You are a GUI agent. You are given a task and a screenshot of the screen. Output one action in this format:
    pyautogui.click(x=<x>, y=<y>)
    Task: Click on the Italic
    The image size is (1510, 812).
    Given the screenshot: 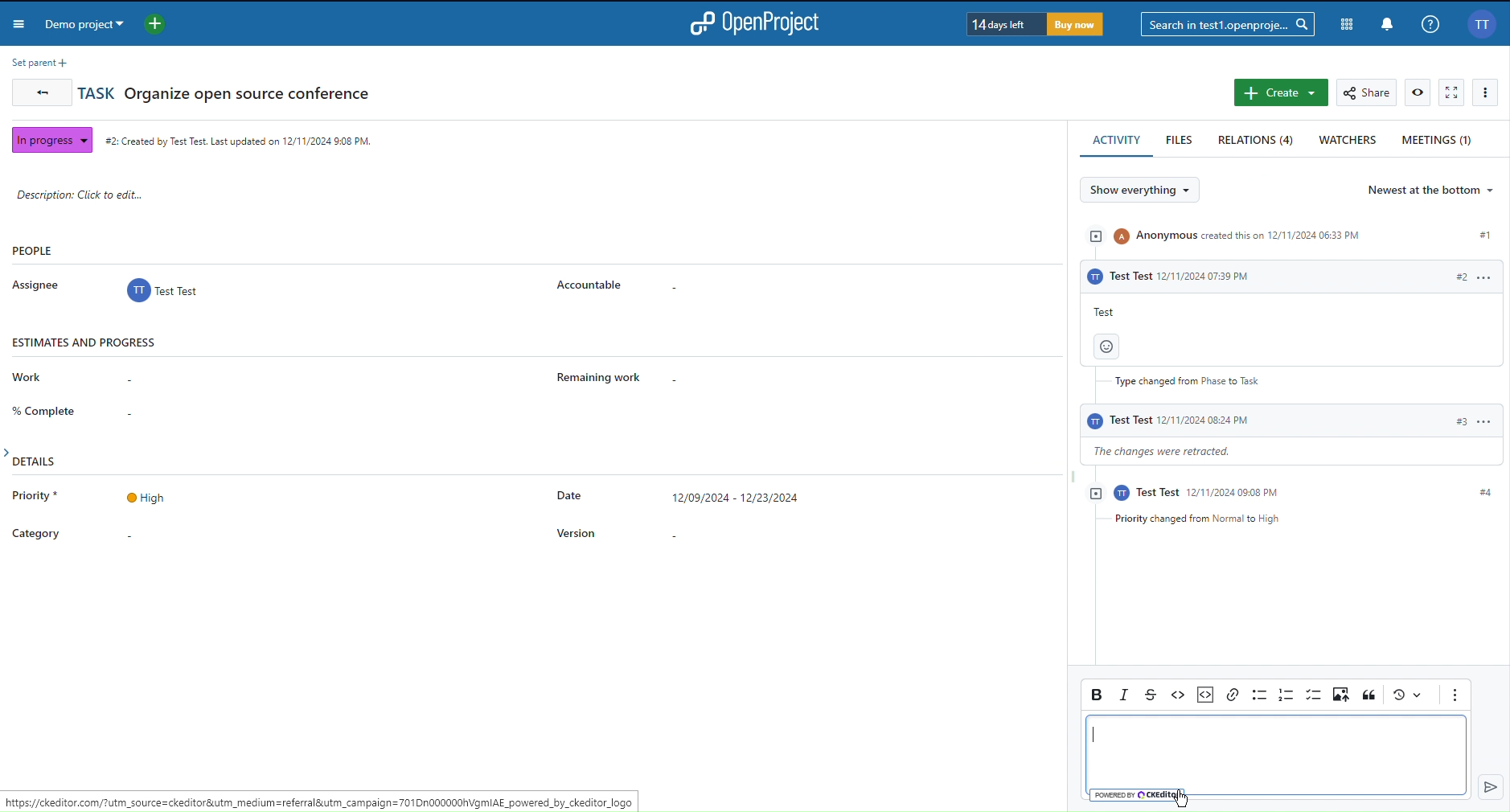 What is the action you would take?
    pyautogui.click(x=1126, y=695)
    